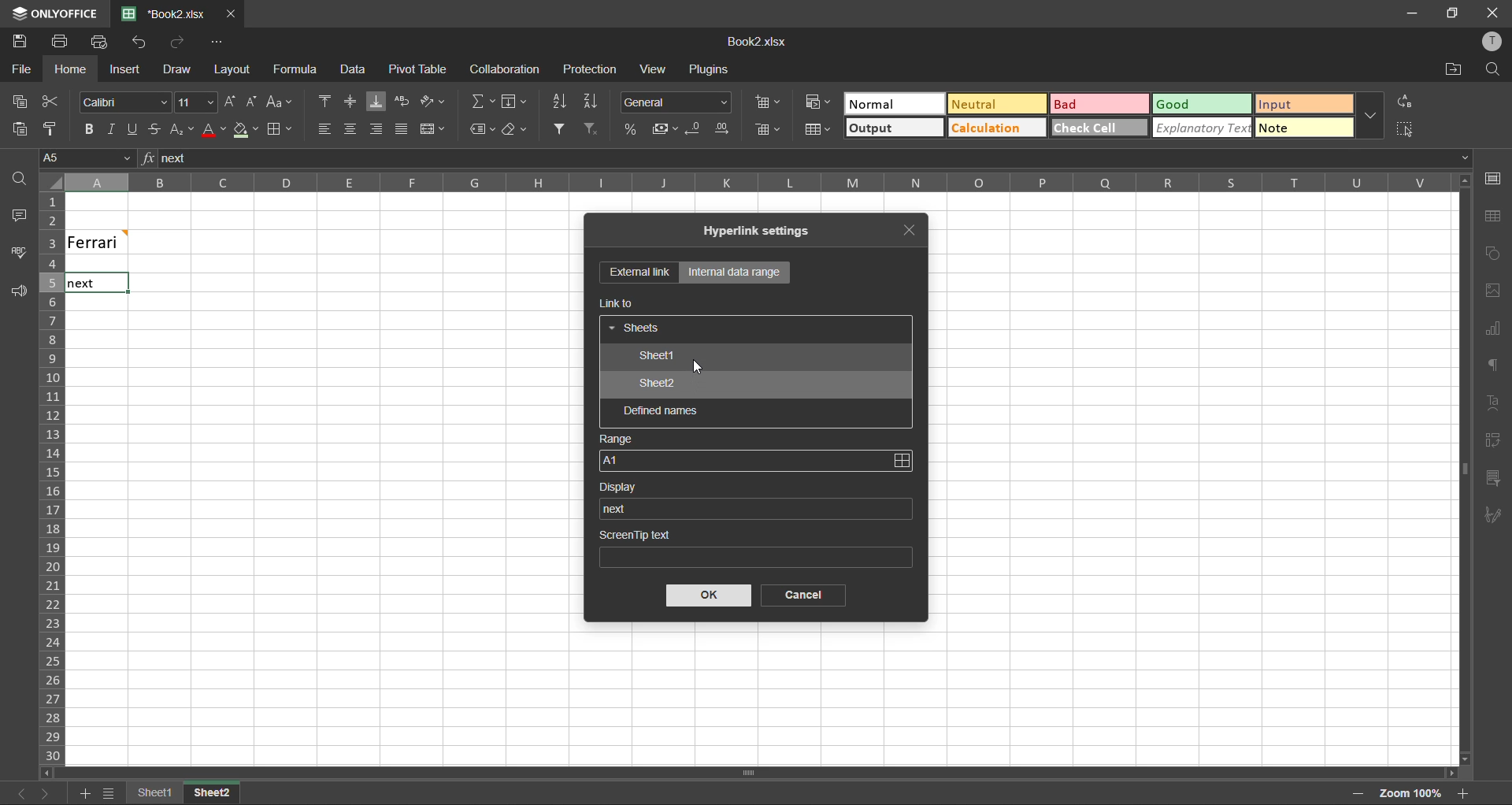 The width and height of the screenshot is (1512, 805). I want to click on plugins, so click(710, 72).